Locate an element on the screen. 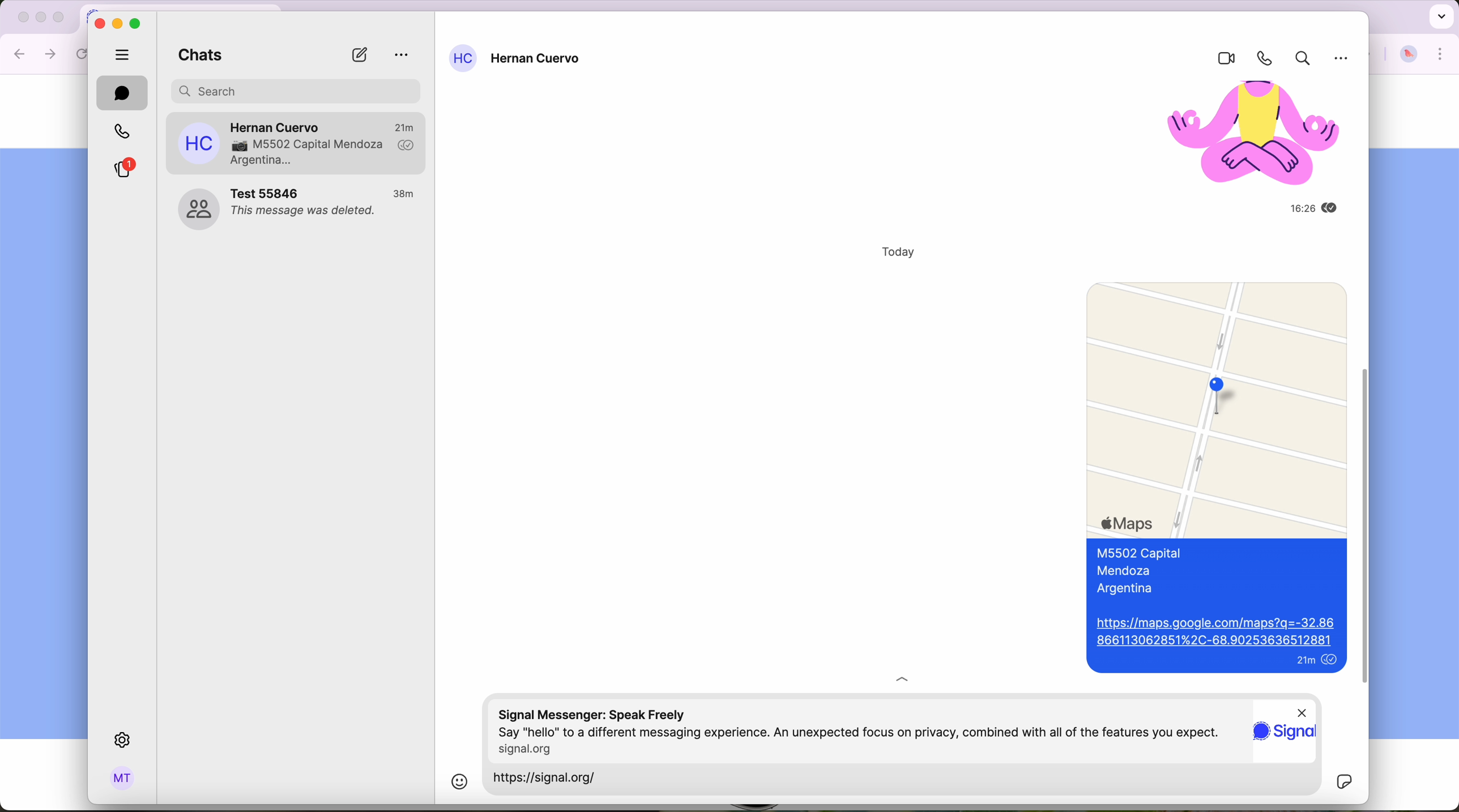 This screenshot has width=1459, height=812. profile icon is located at coordinates (199, 143).